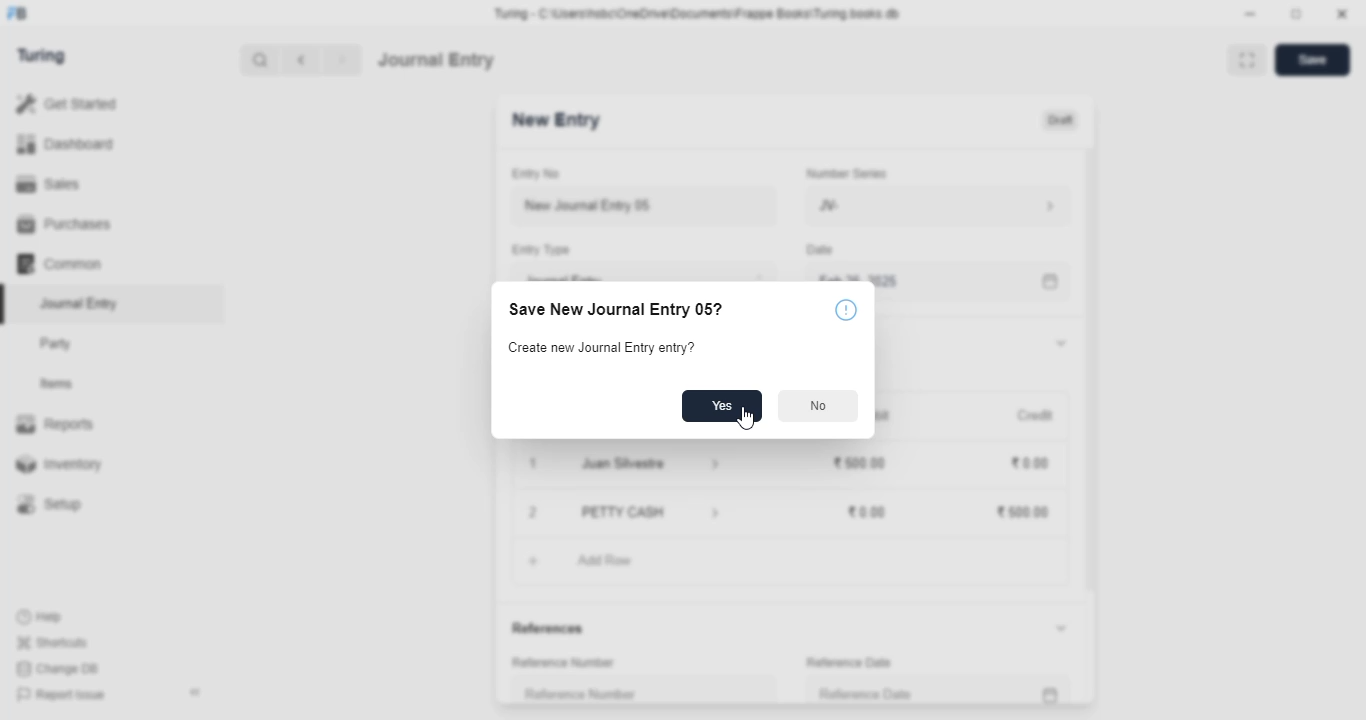 The width and height of the screenshot is (1366, 720). What do you see at coordinates (56, 424) in the screenshot?
I see `reports` at bounding box center [56, 424].